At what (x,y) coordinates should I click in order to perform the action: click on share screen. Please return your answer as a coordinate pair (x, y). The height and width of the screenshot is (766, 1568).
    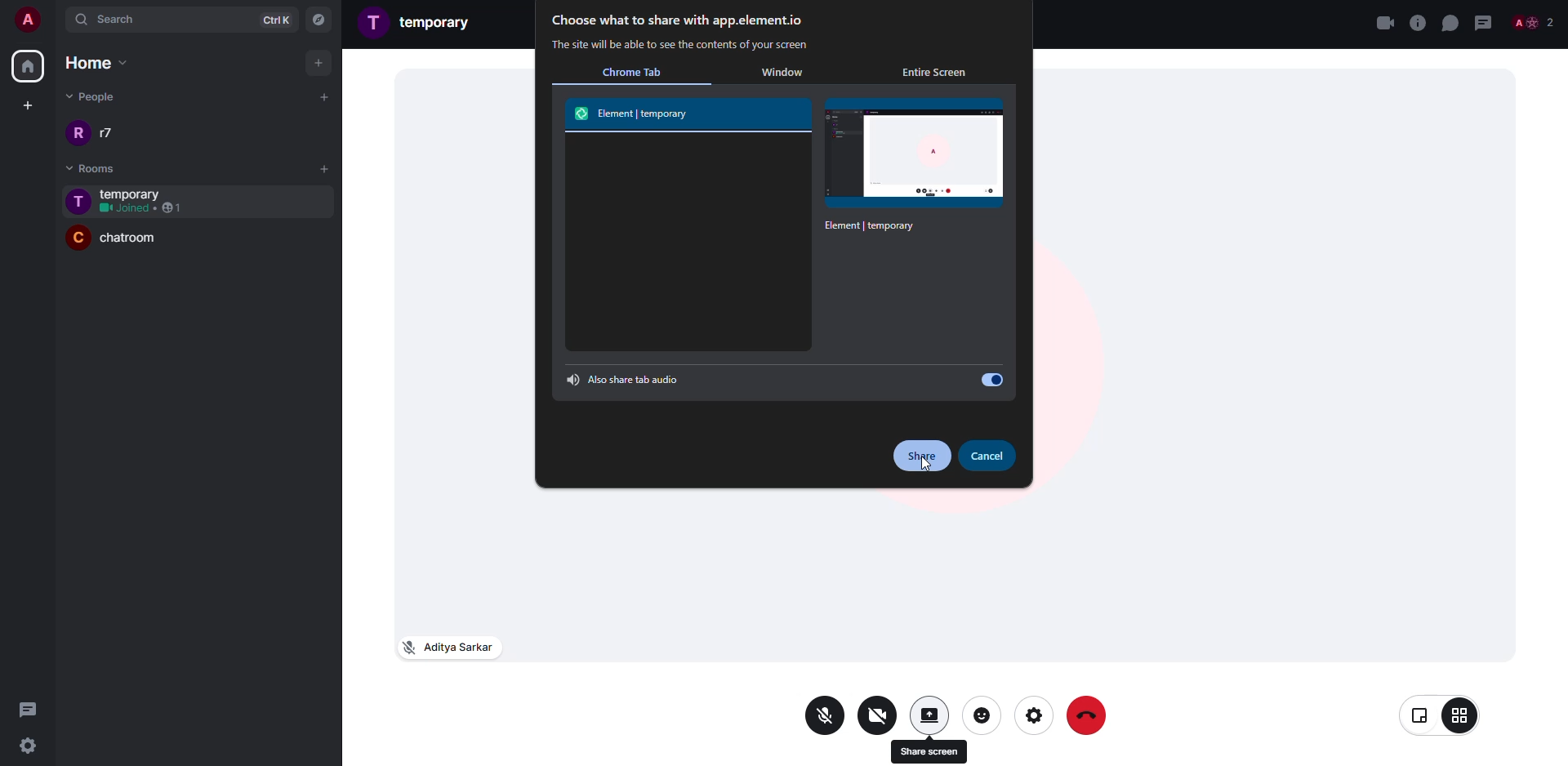
    Looking at the image, I should click on (928, 749).